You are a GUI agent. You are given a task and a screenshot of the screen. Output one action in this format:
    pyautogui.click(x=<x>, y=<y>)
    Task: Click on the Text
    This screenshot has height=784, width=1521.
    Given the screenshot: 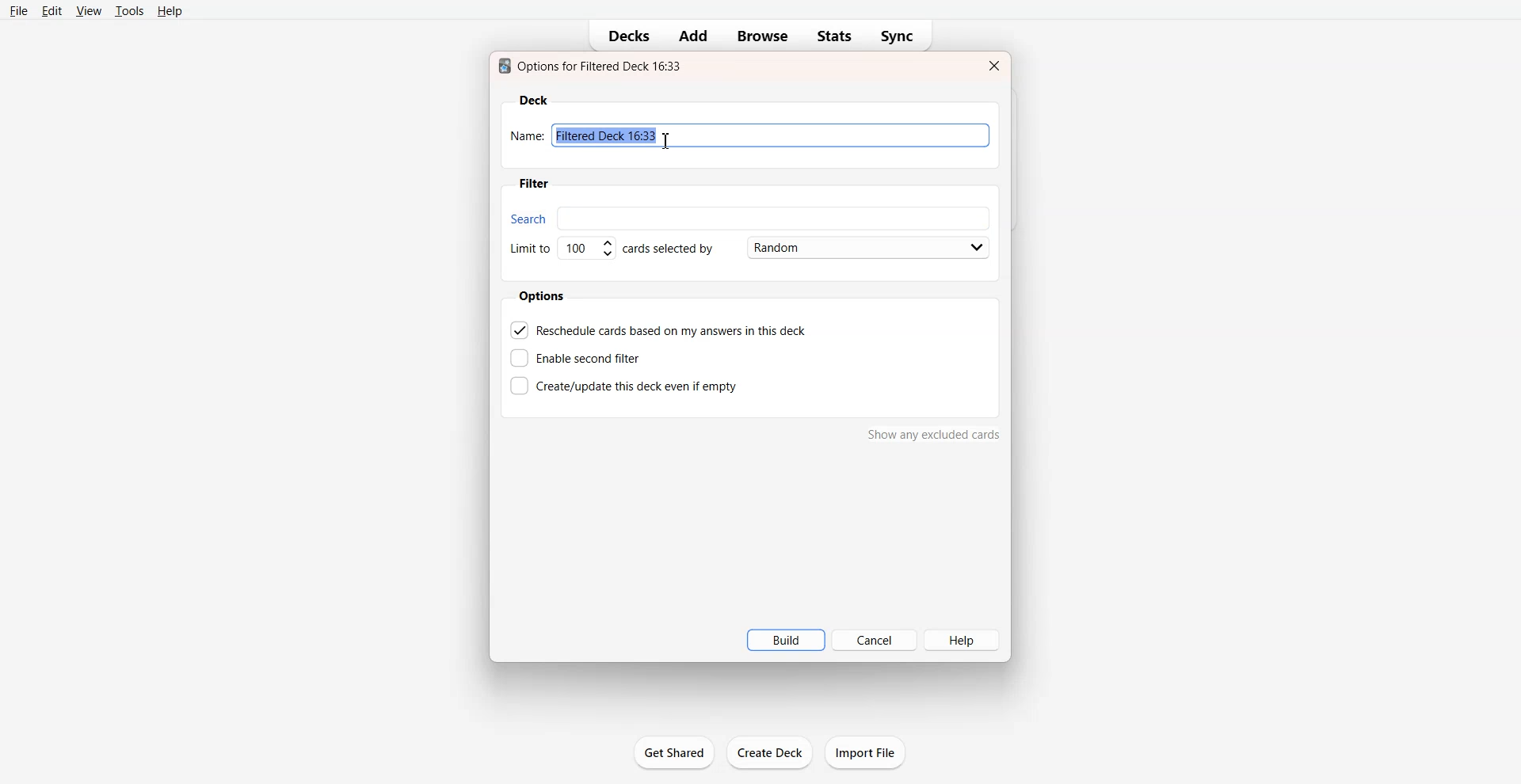 What is the action you would take?
    pyautogui.click(x=593, y=66)
    